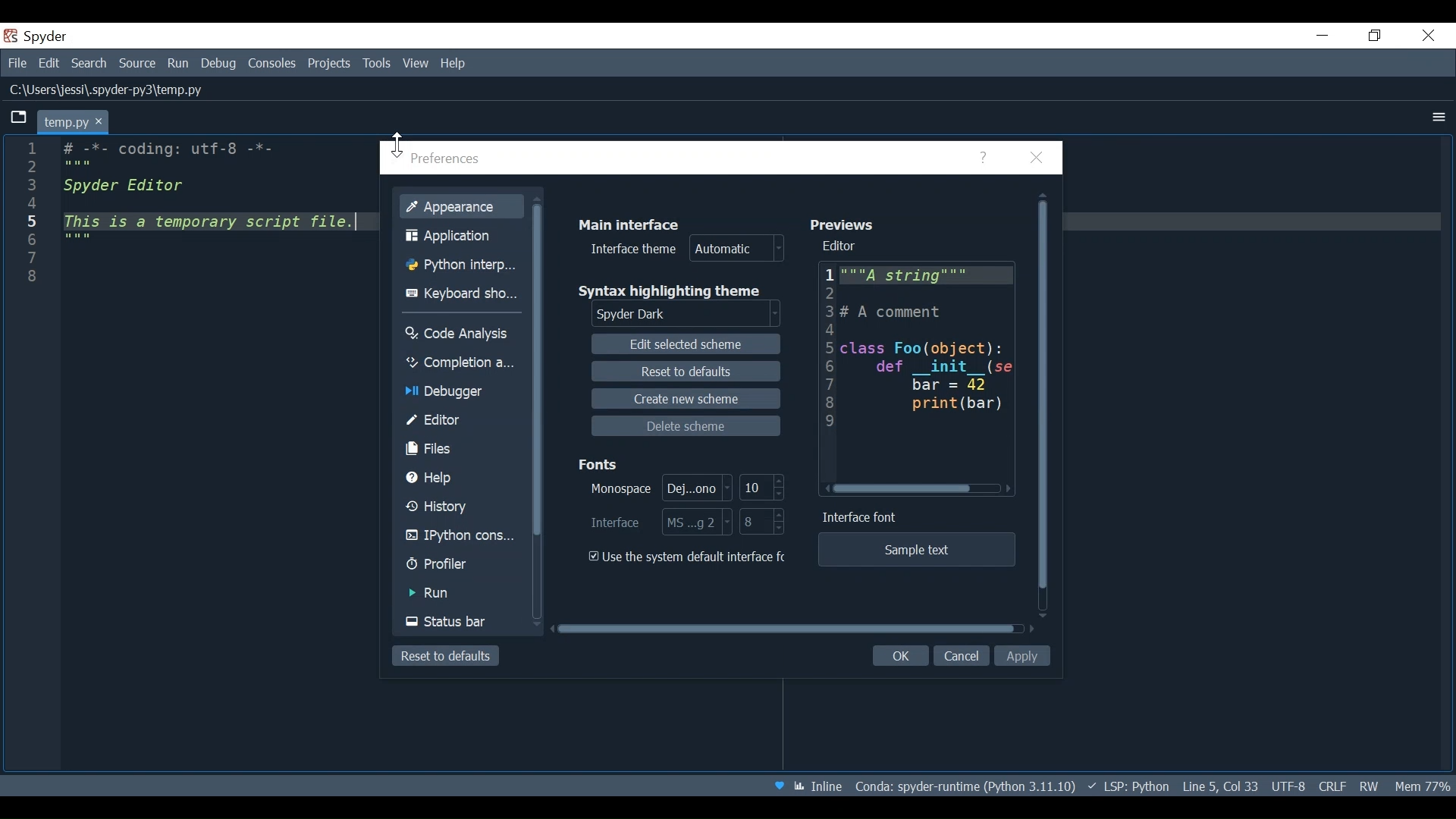 The width and height of the screenshot is (1456, 819). Describe the element at coordinates (1221, 785) in the screenshot. I see `Cursor Position` at that location.